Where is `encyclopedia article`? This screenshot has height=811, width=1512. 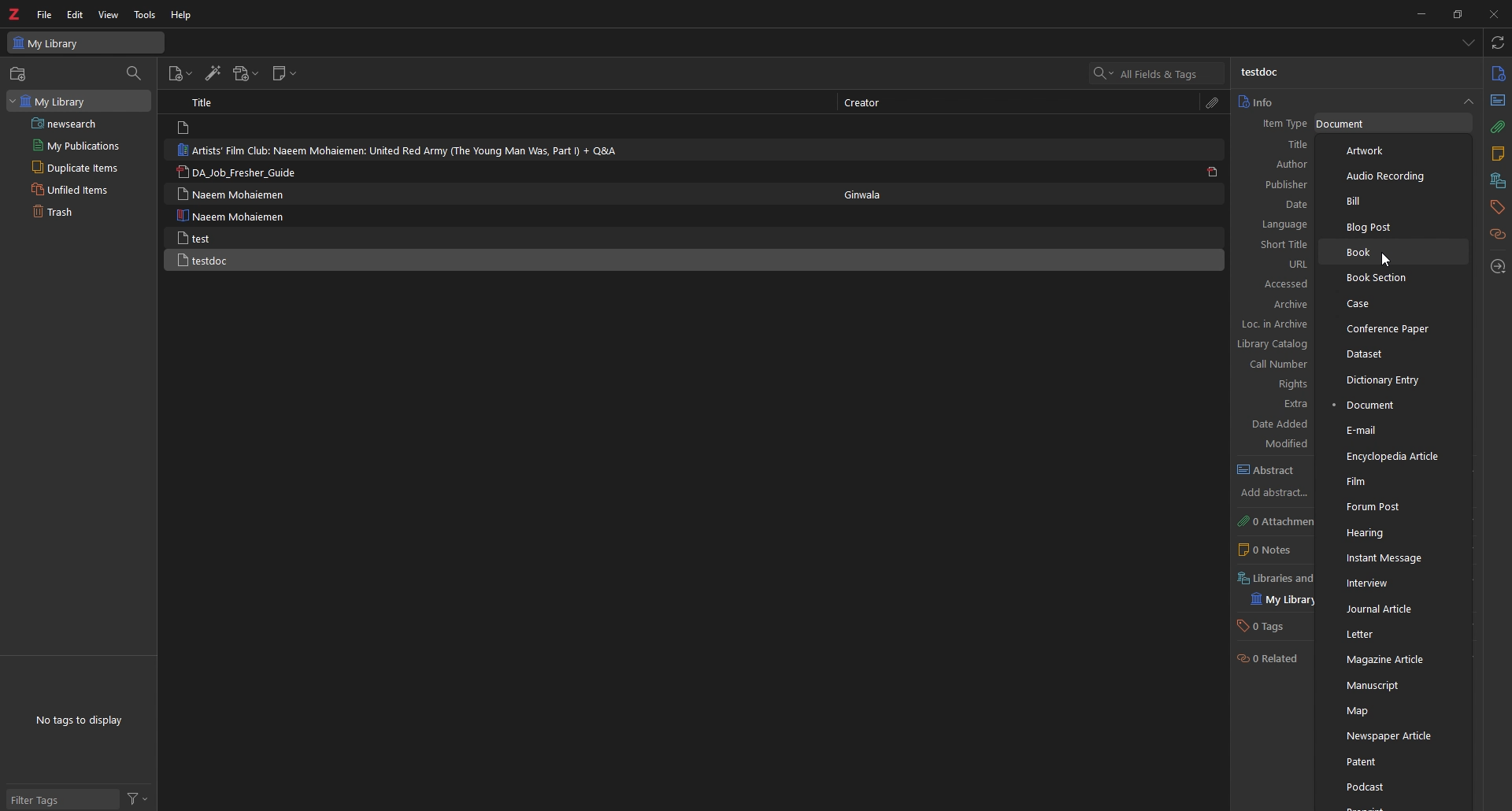 encyclopedia article is located at coordinates (1391, 457).